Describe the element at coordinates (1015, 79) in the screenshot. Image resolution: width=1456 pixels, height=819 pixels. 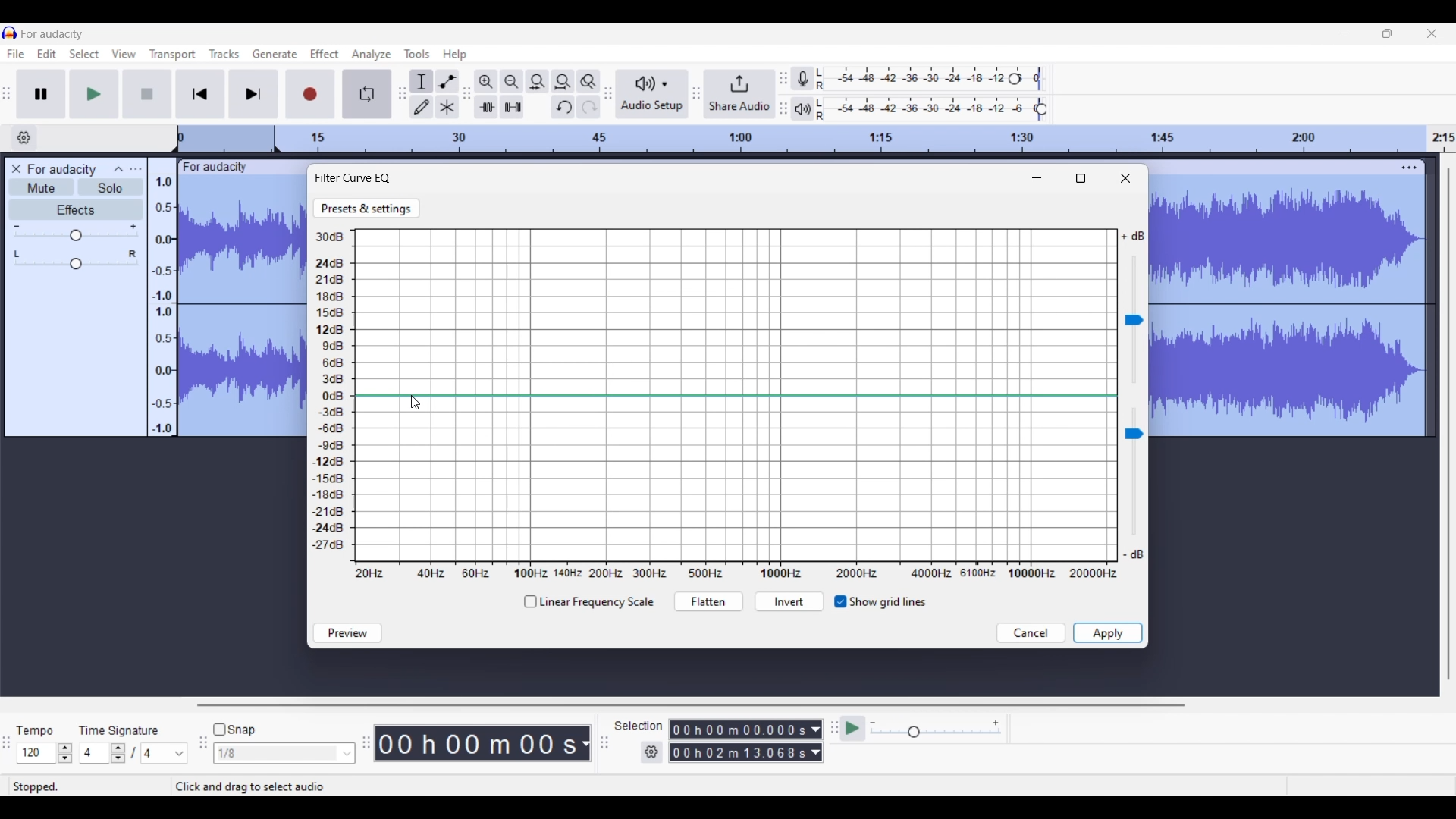
I see `Recording level header` at that location.